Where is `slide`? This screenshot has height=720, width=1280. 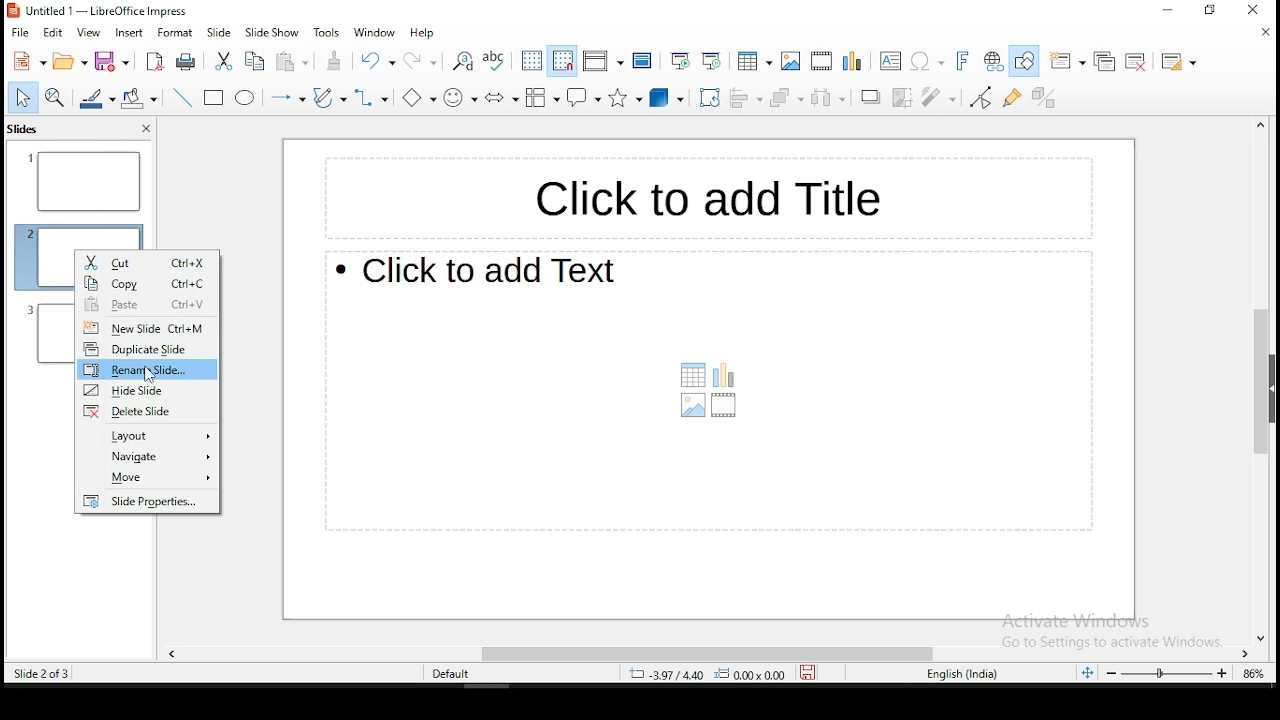 slide is located at coordinates (219, 33).